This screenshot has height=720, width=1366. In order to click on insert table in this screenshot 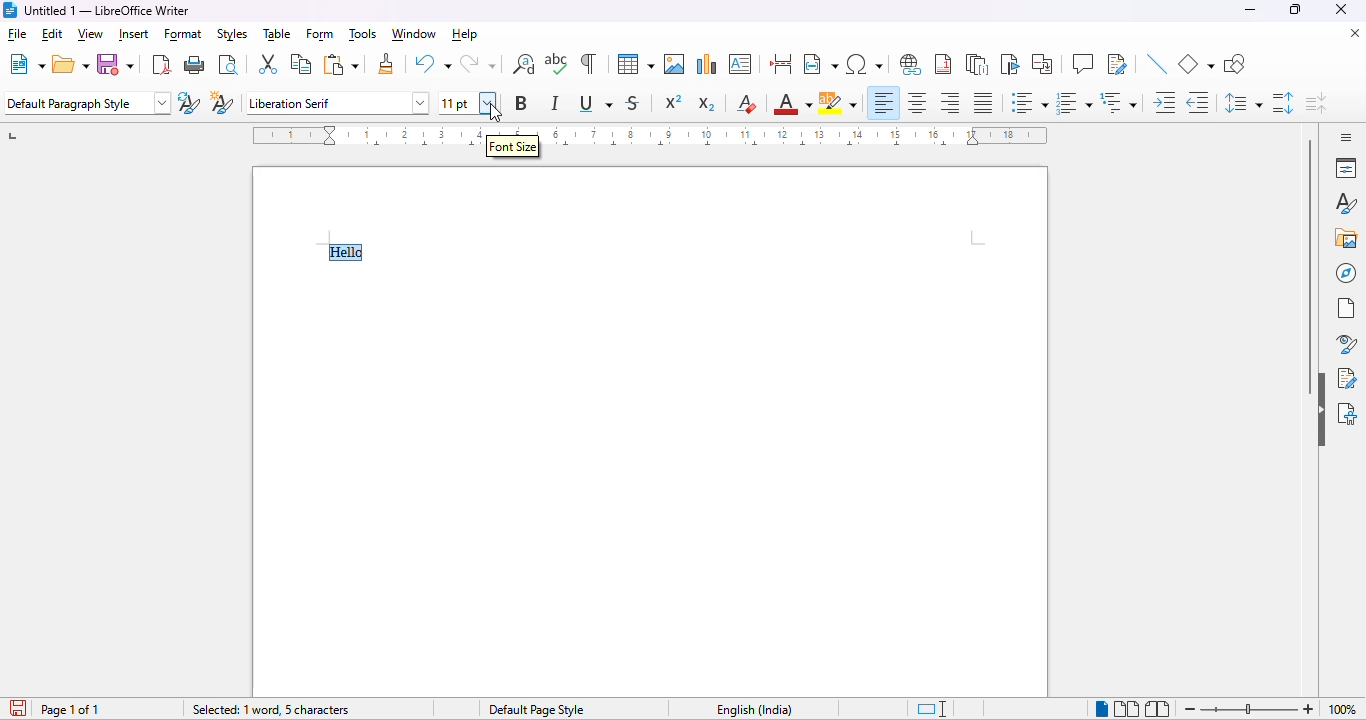, I will do `click(636, 64)`.